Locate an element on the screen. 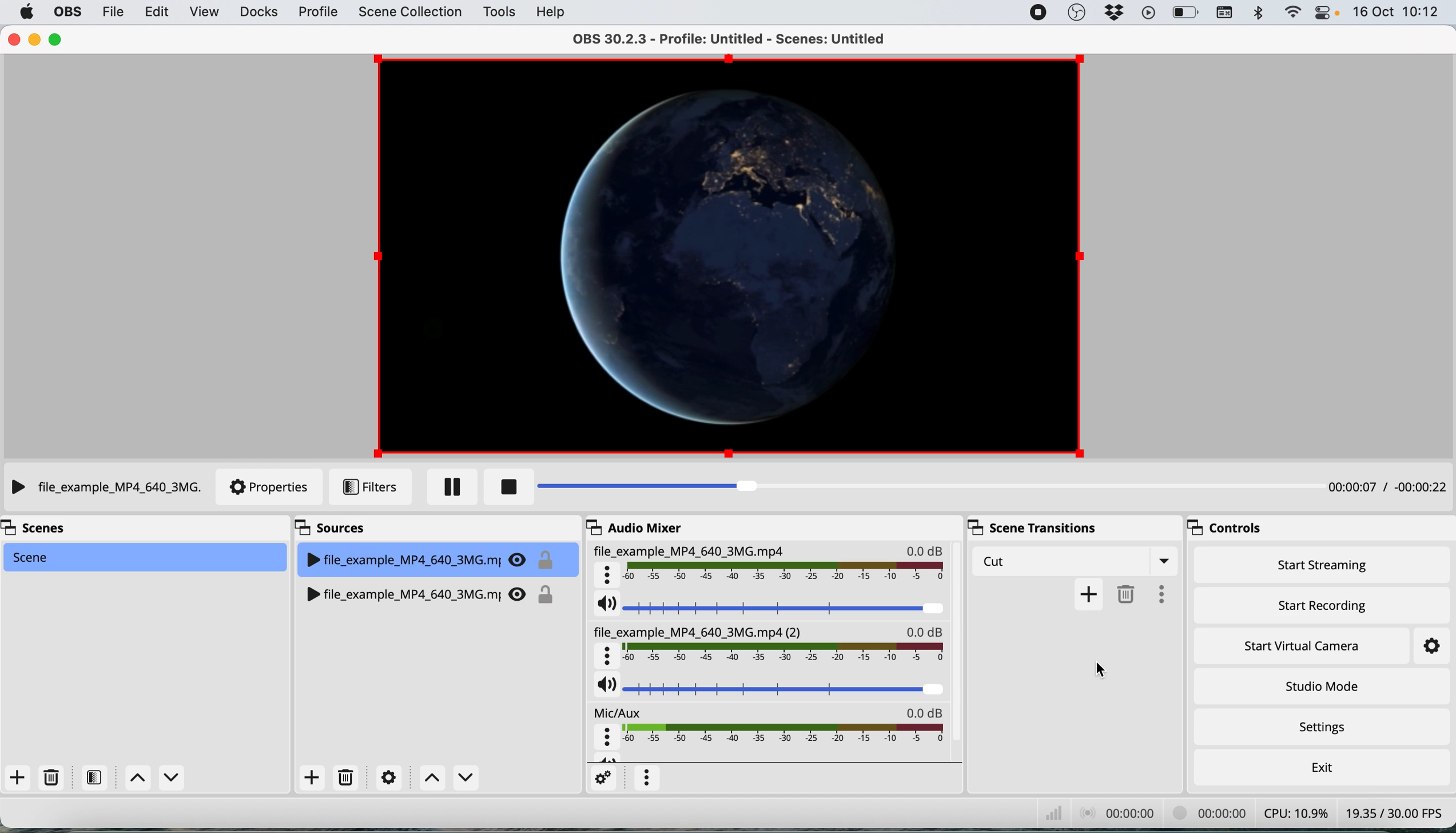  File_example_MP4_640_3MG is located at coordinates (767, 564).